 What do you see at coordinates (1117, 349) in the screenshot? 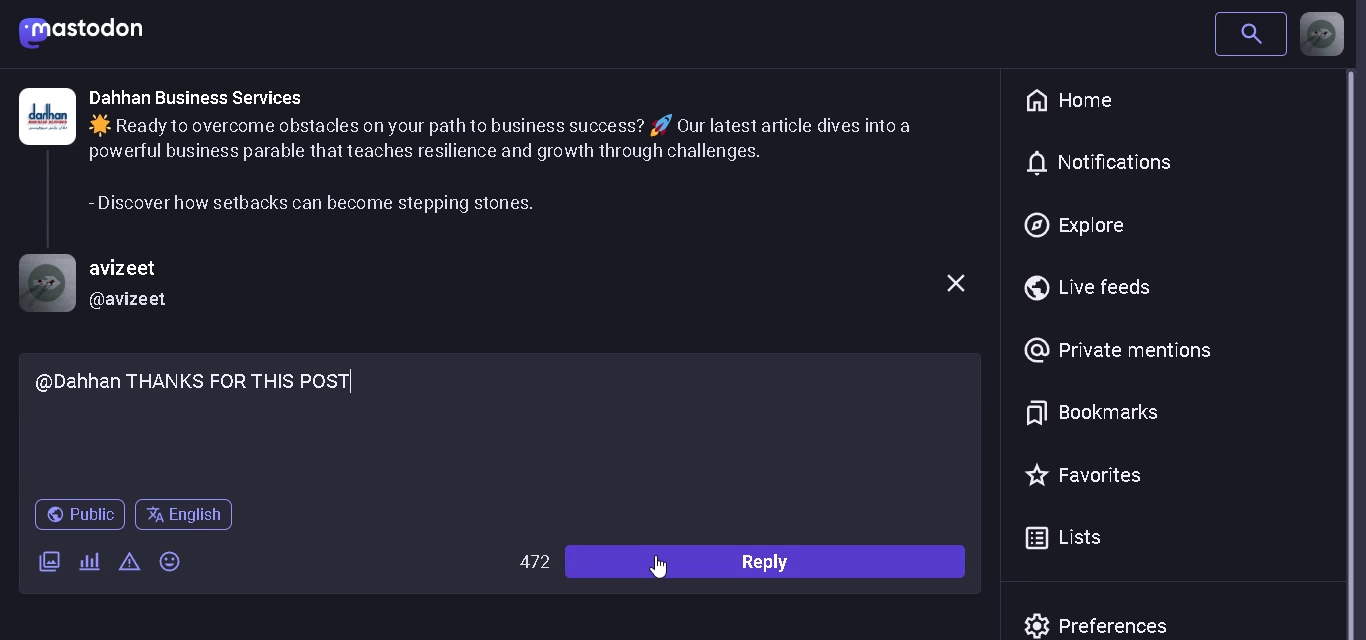
I see `private mentions` at bounding box center [1117, 349].